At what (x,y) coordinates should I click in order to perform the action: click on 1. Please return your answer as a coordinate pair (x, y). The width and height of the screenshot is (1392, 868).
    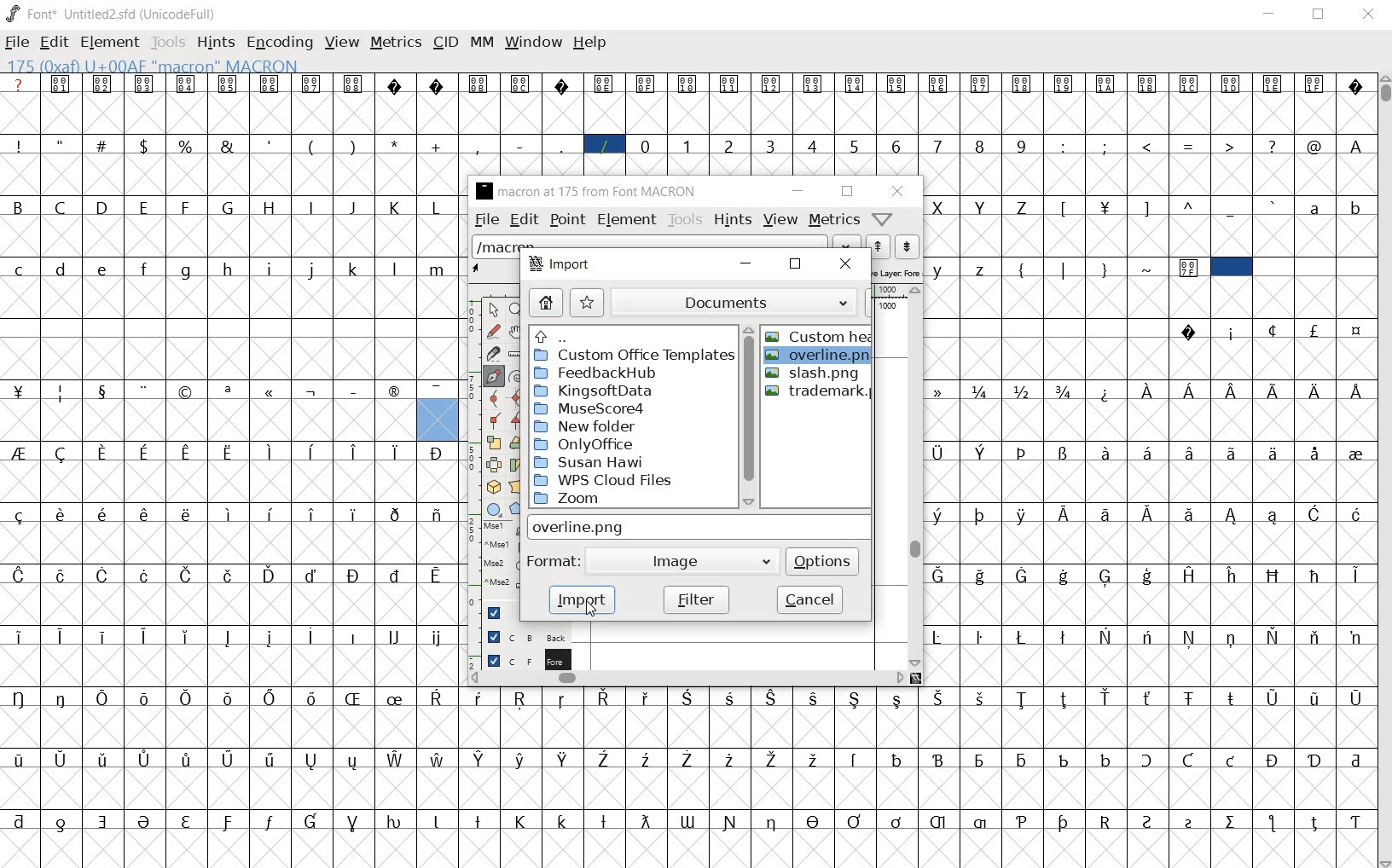
    Looking at the image, I should click on (688, 144).